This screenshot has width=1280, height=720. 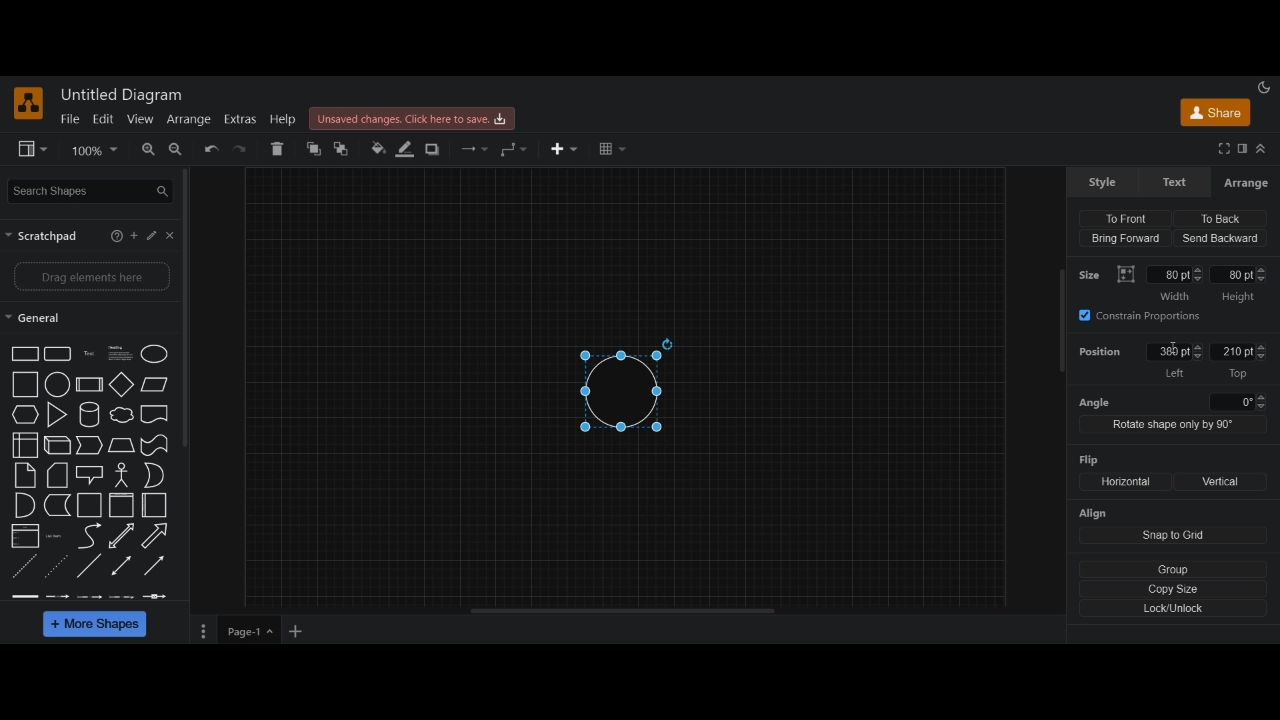 What do you see at coordinates (1240, 361) in the screenshot?
I see `top` at bounding box center [1240, 361].